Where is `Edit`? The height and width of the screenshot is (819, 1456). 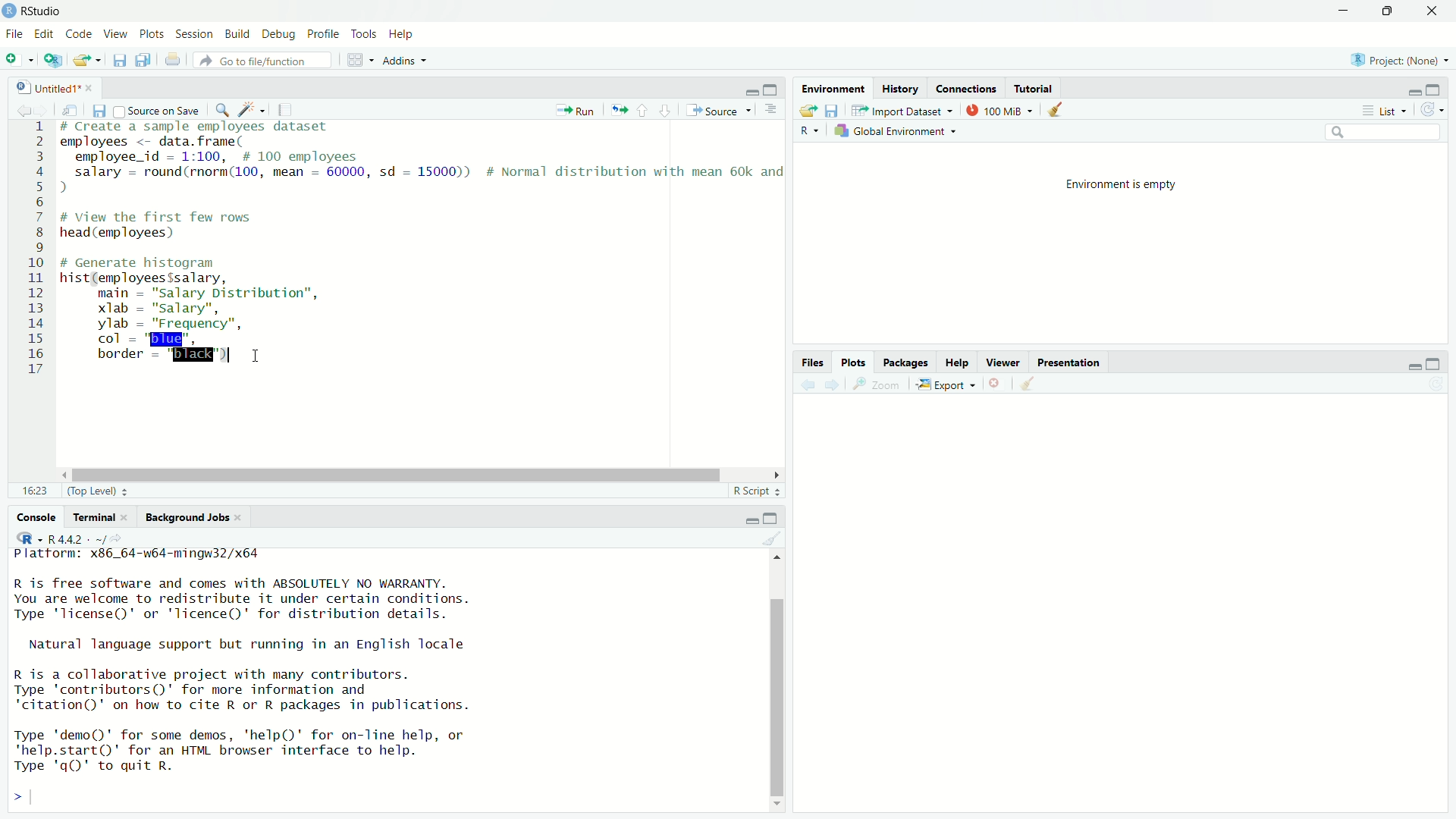 Edit is located at coordinates (45, 33).